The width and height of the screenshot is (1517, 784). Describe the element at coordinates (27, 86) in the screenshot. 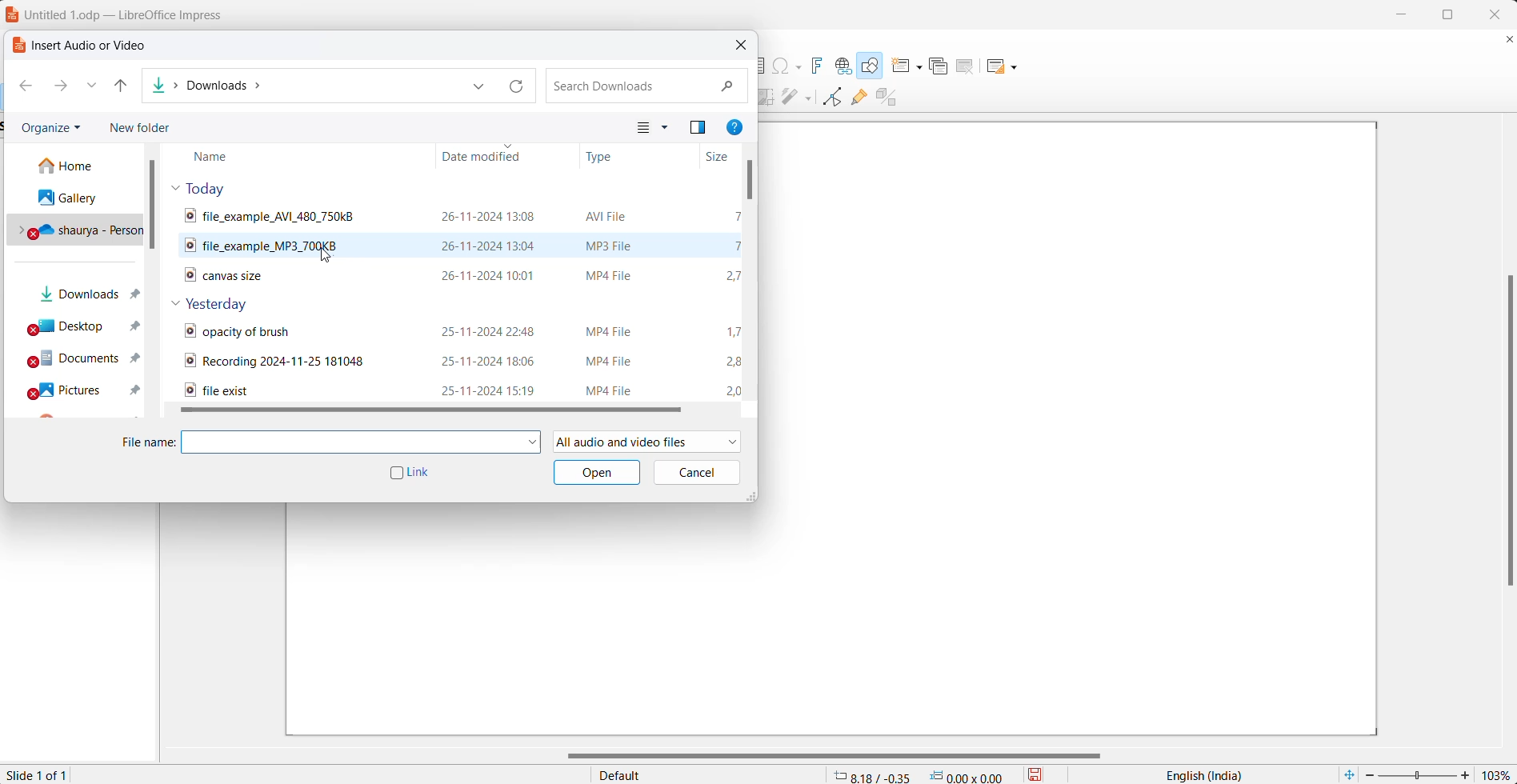

I see `go back` at that location.